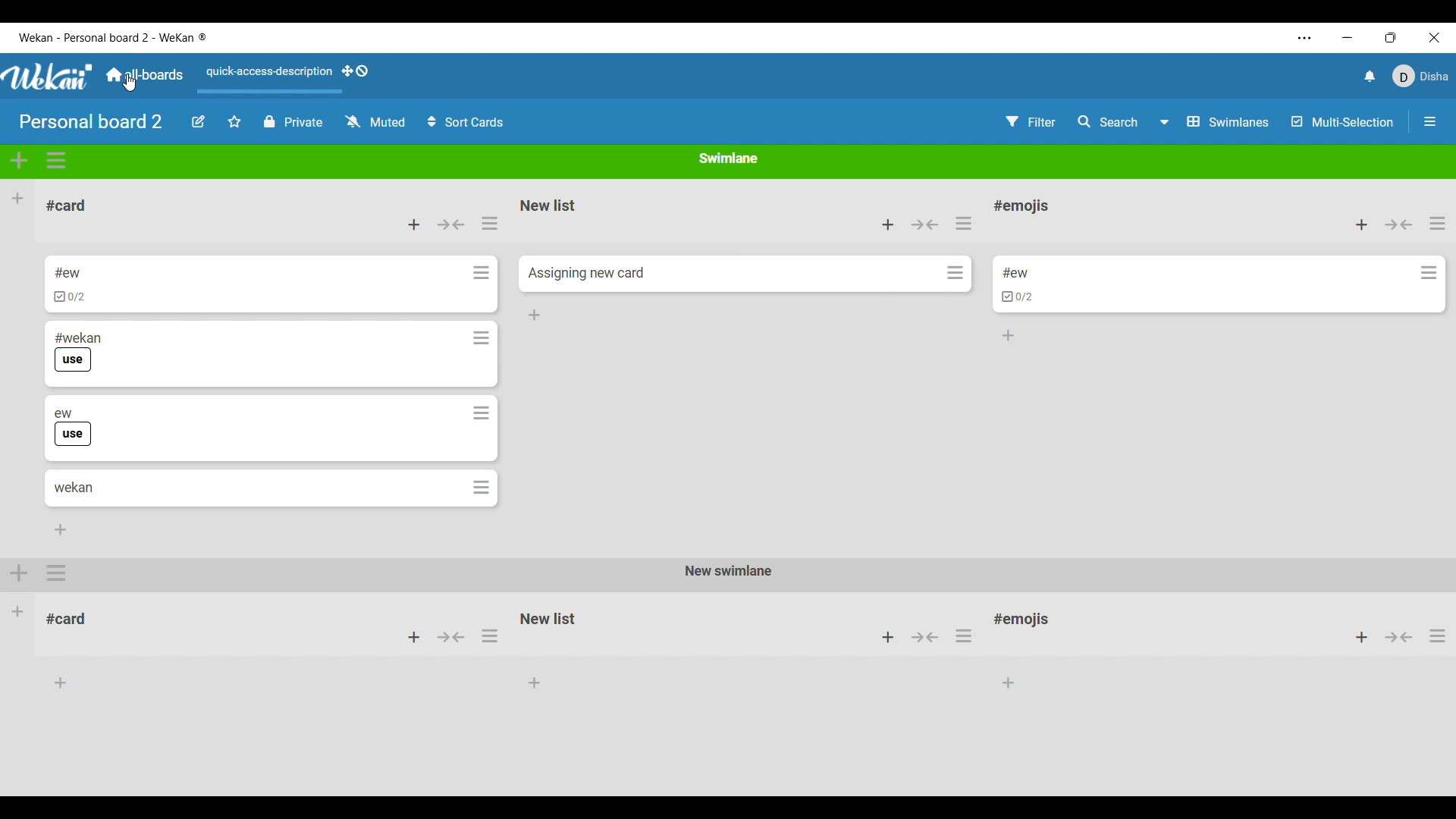 The height and width of the screenshot is (819, 1456). Describe the element at coordinates (465, 121) in the screenshot. I see `Sort cards` at that location.